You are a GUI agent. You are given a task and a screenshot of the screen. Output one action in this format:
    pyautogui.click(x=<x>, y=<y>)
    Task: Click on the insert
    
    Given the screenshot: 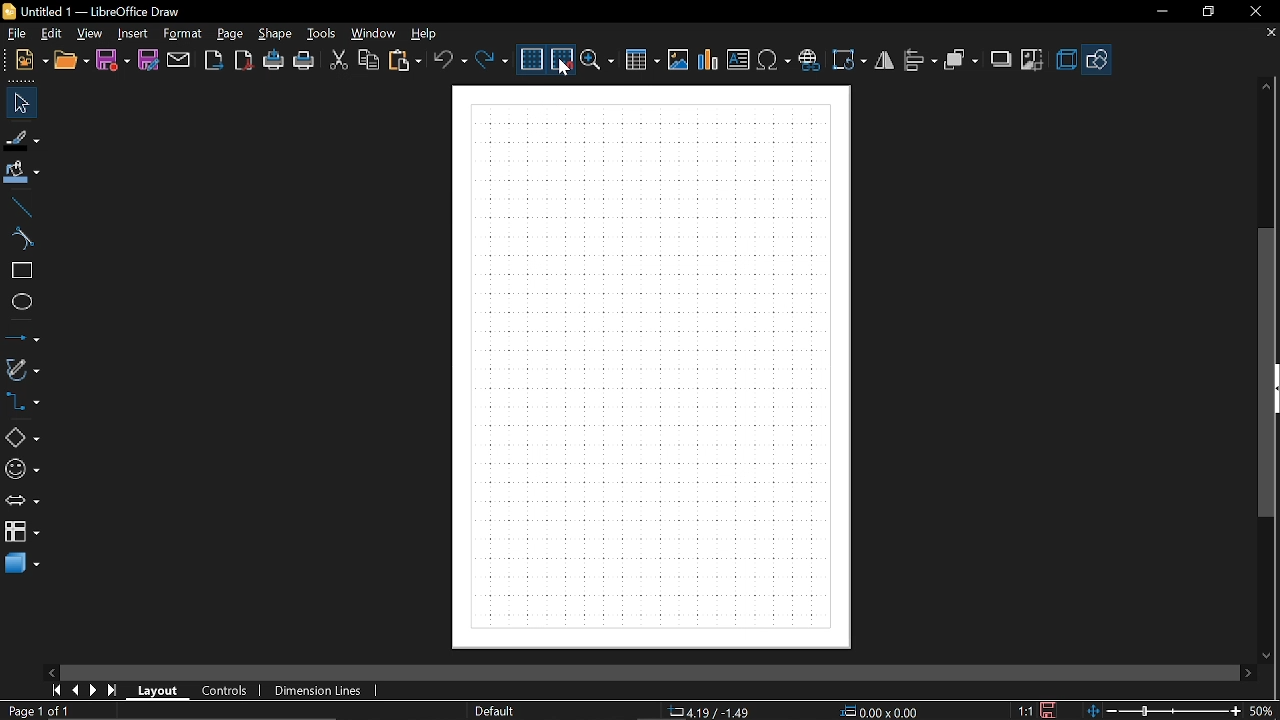 What is the action you would take?
    pyautogui.click(x=132, y=35)
    